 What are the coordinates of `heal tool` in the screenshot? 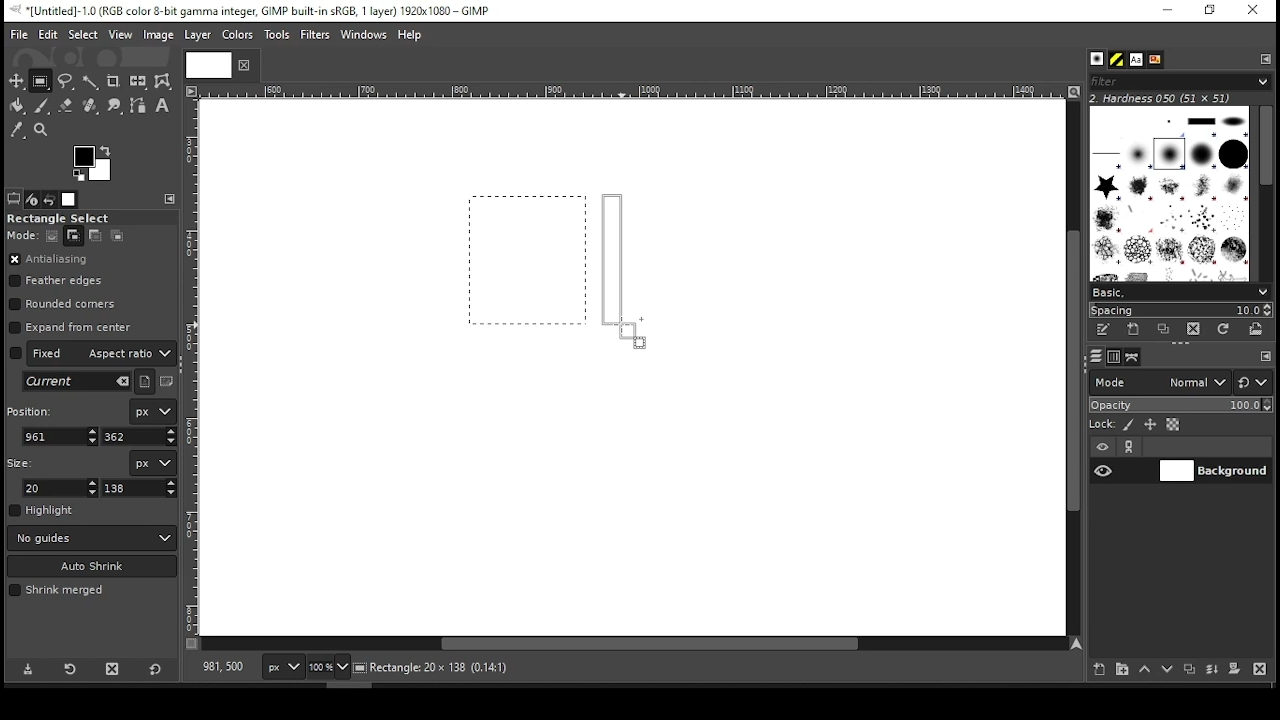 It's located at (92, 107).